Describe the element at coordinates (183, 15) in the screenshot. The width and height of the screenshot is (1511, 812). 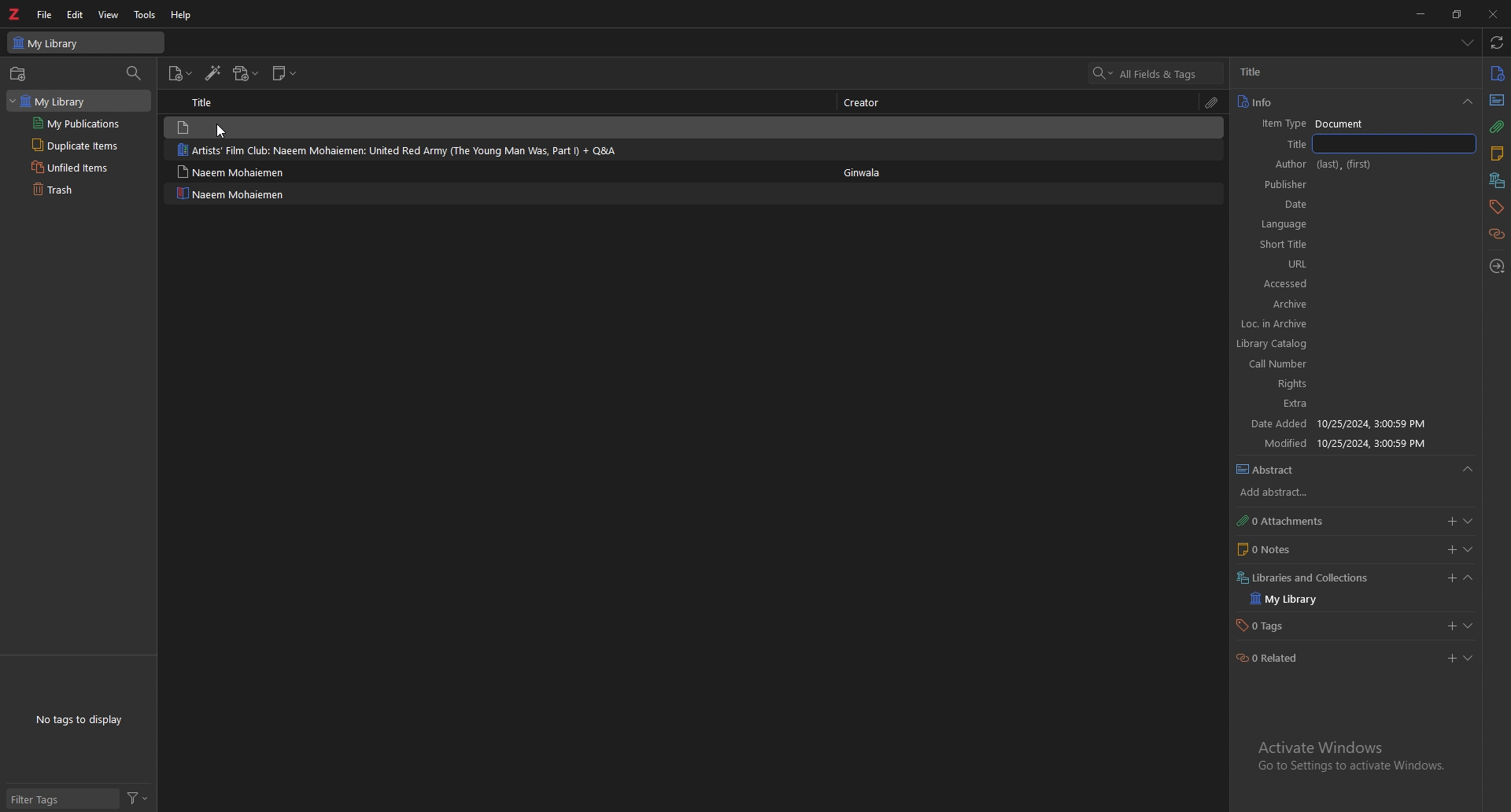
I see `help` at that location.